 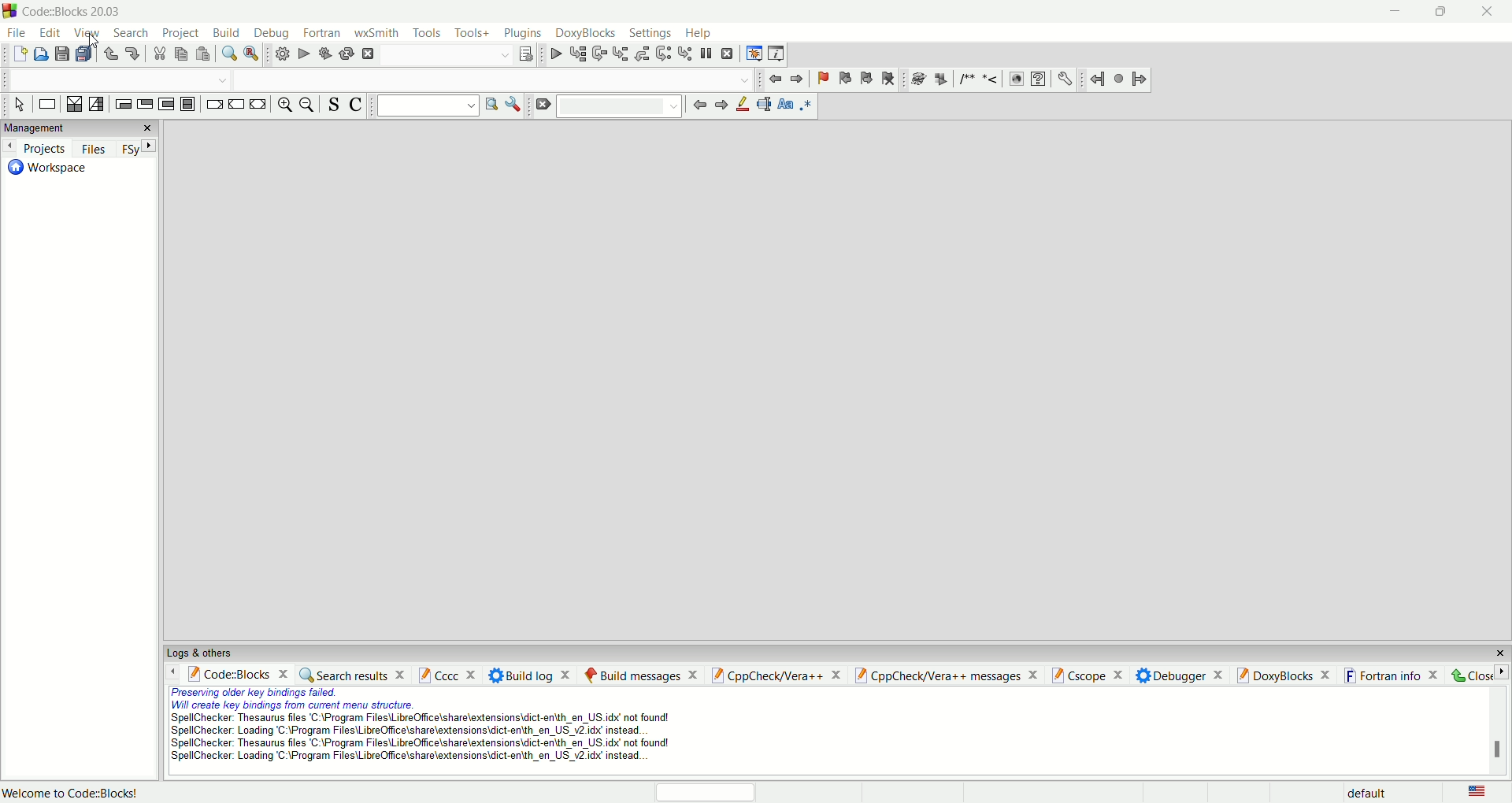 What do you see at coordinates (731, 54) in the screenshot?
I see `stop debugger` at bounding box center [731, 54].